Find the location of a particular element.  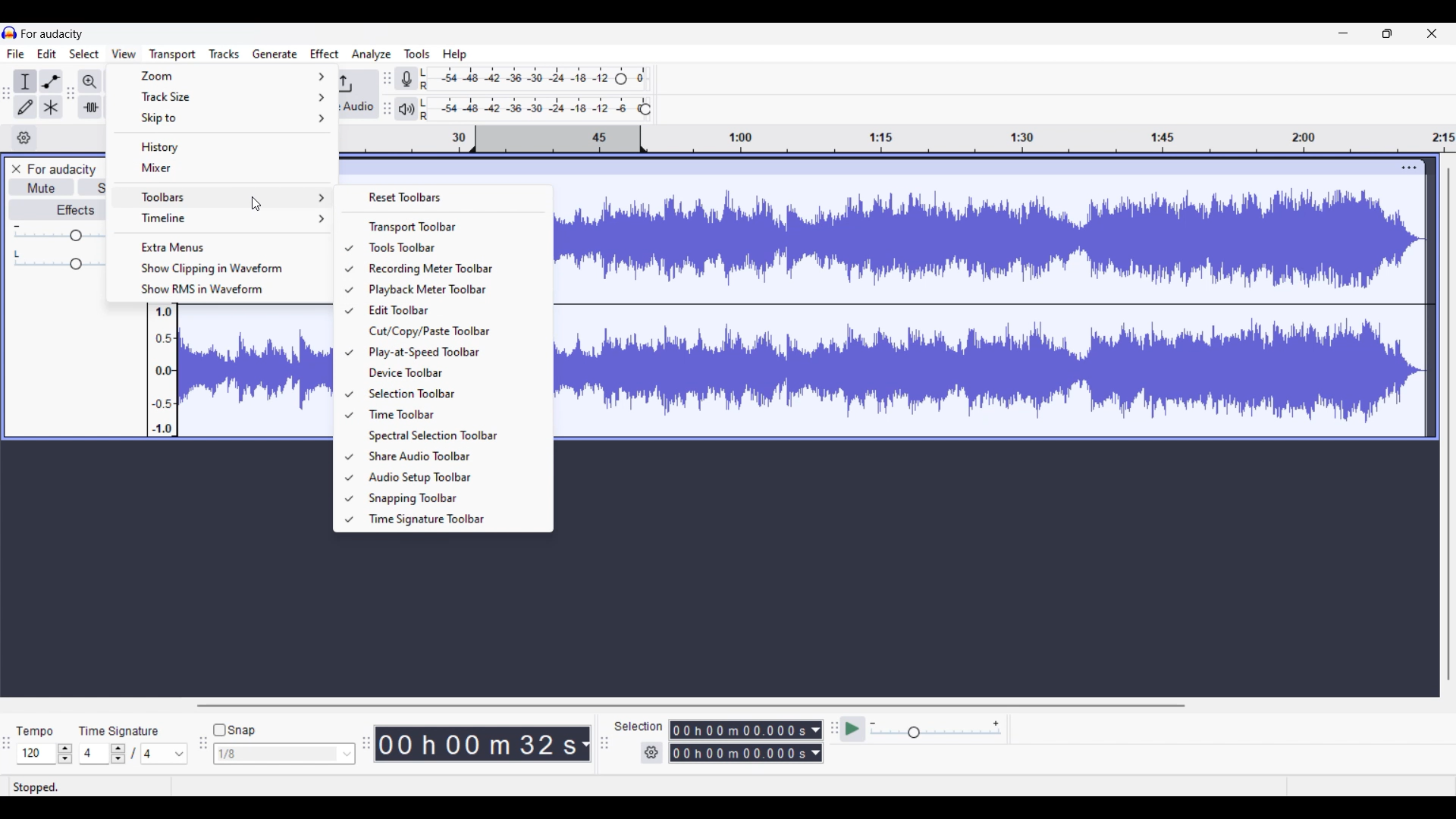

Playback level is located at coordinates (529, 109).